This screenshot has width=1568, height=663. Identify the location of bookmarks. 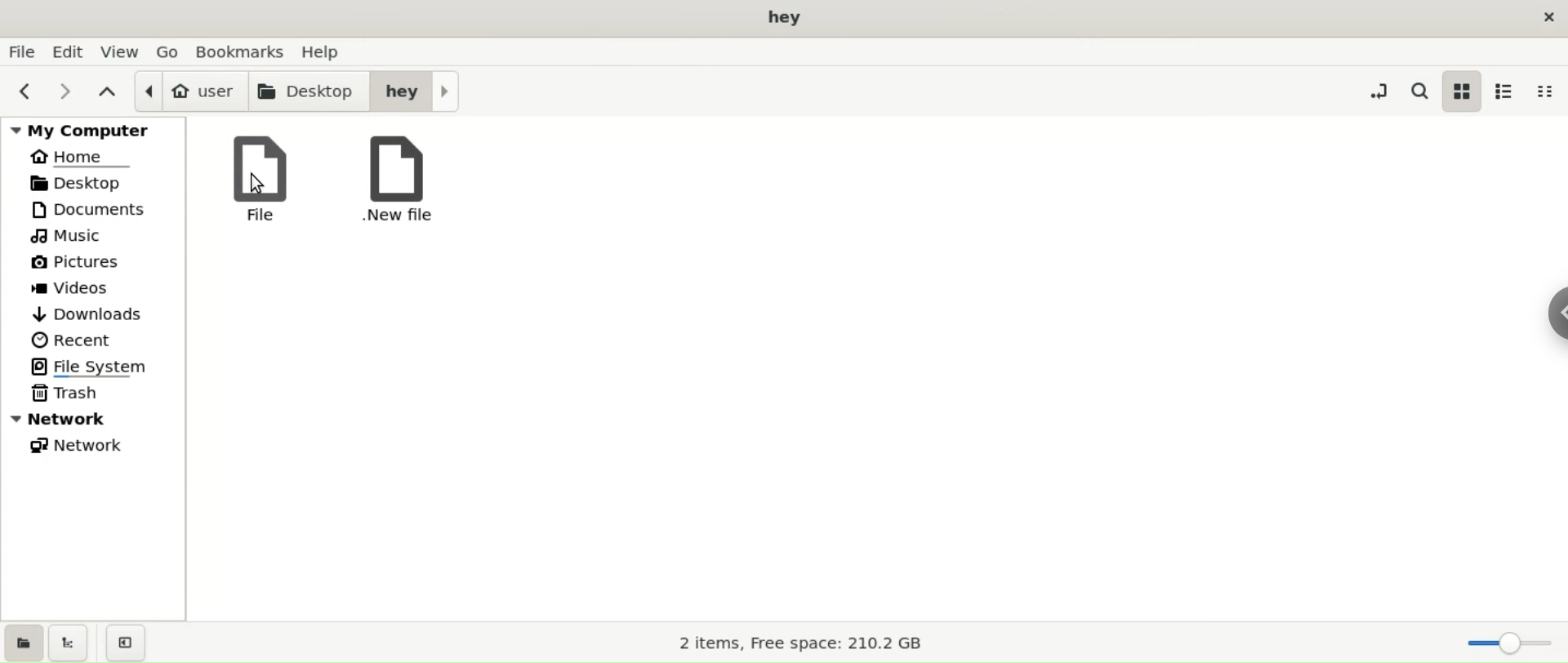
(243, 51).